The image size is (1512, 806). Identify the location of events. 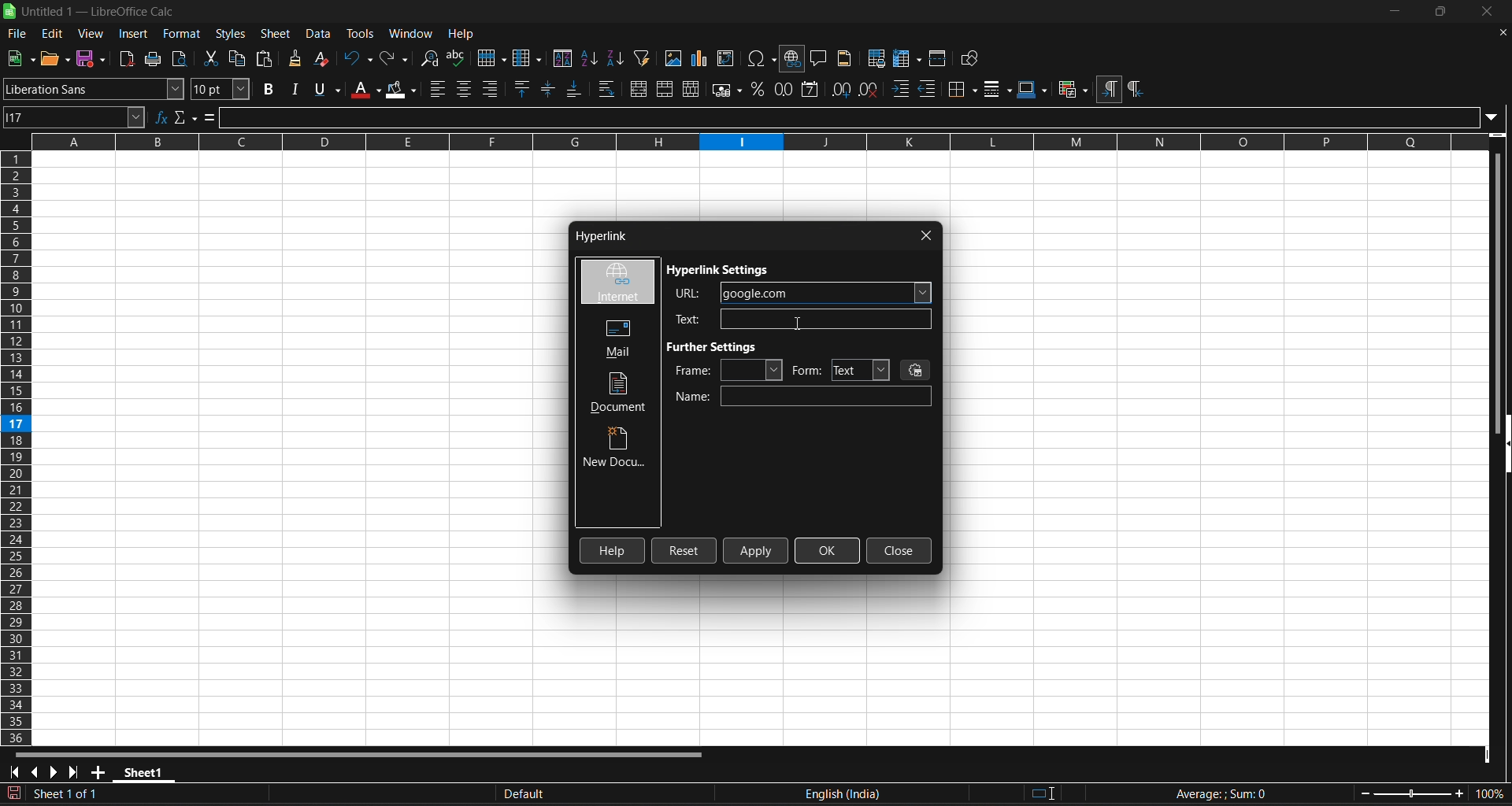
(917, 369).